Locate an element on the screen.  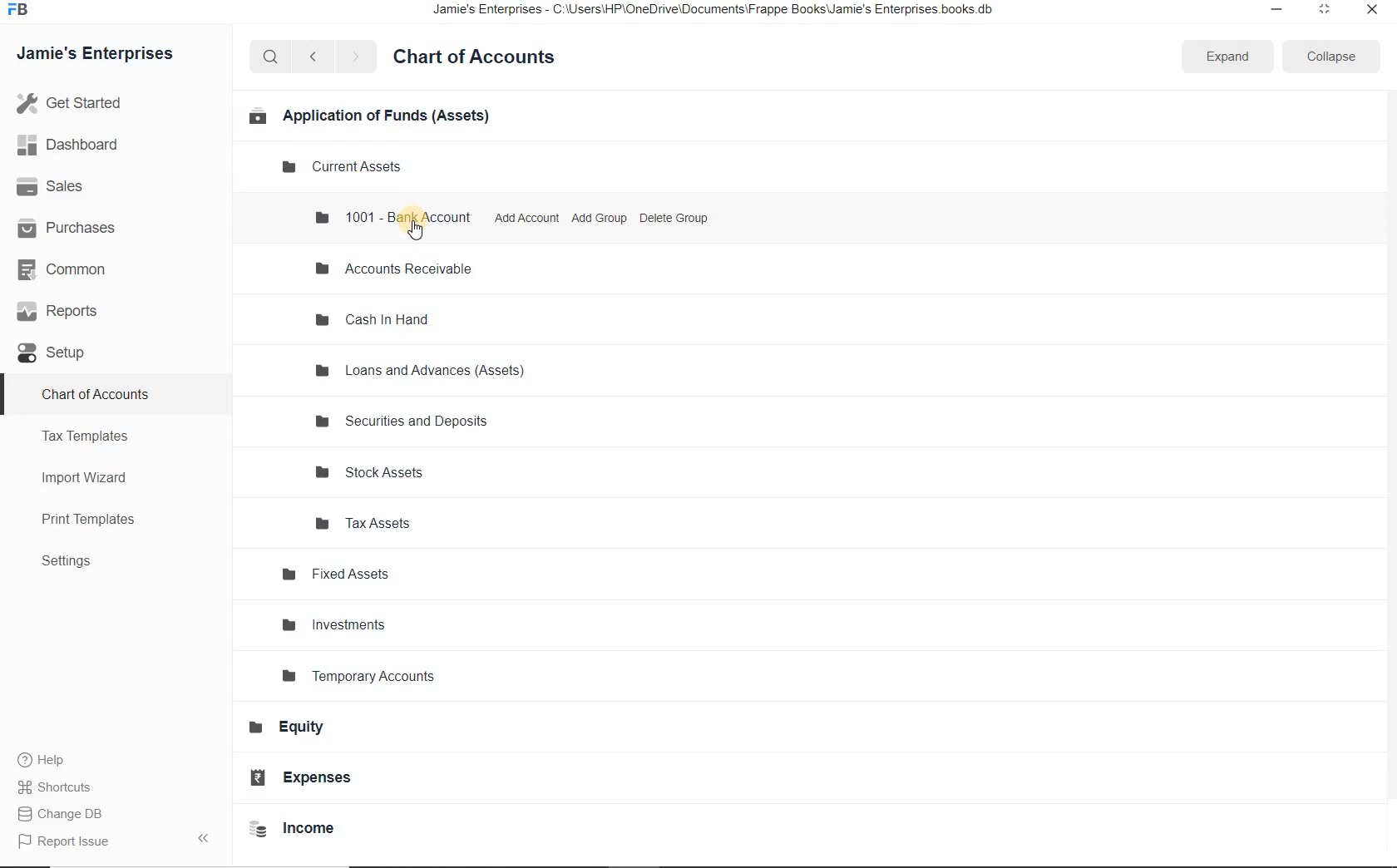
close is located at coordinates (1373, 11).